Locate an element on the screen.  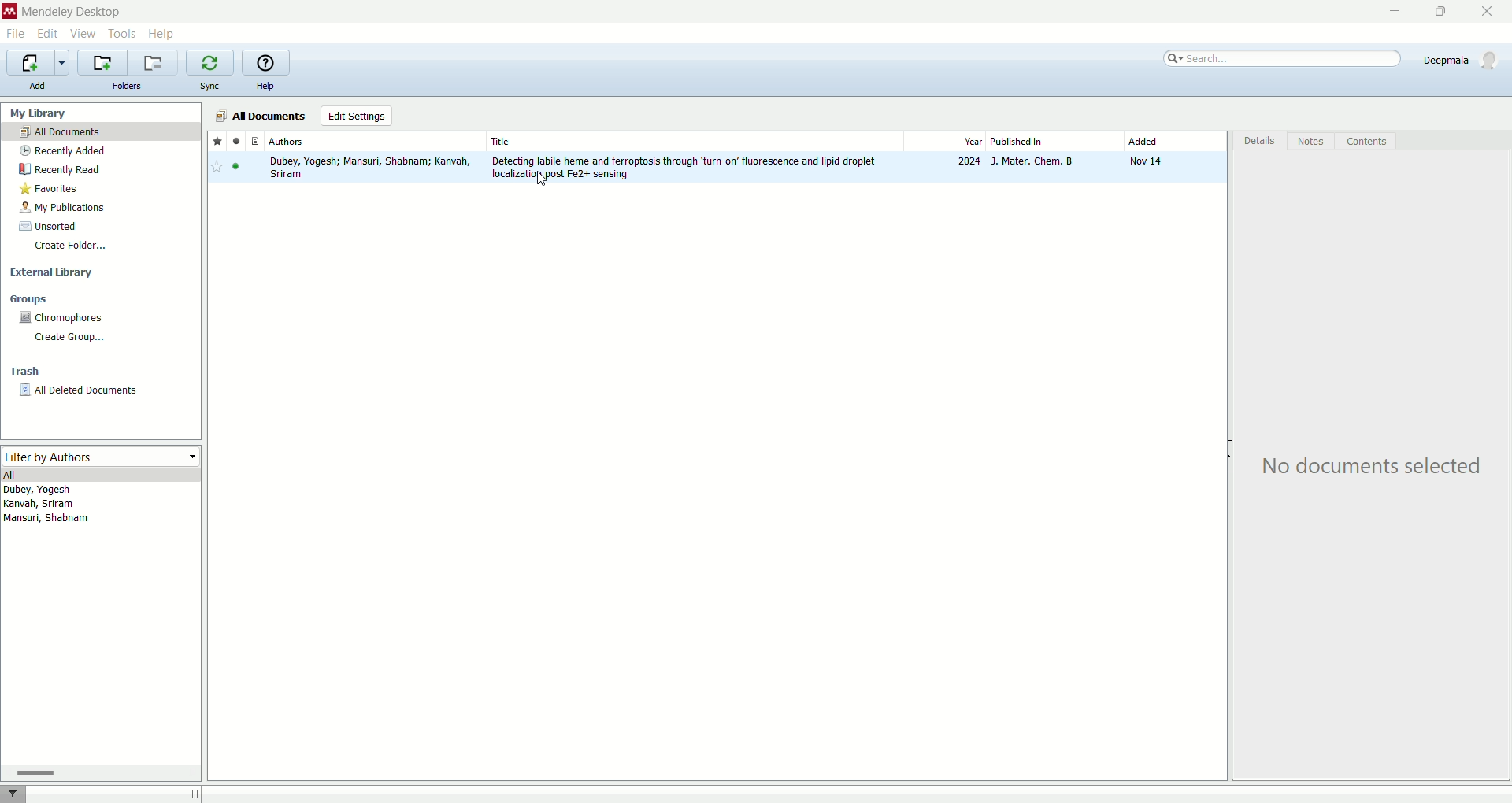
my publications is located at coordinates (65, 208).